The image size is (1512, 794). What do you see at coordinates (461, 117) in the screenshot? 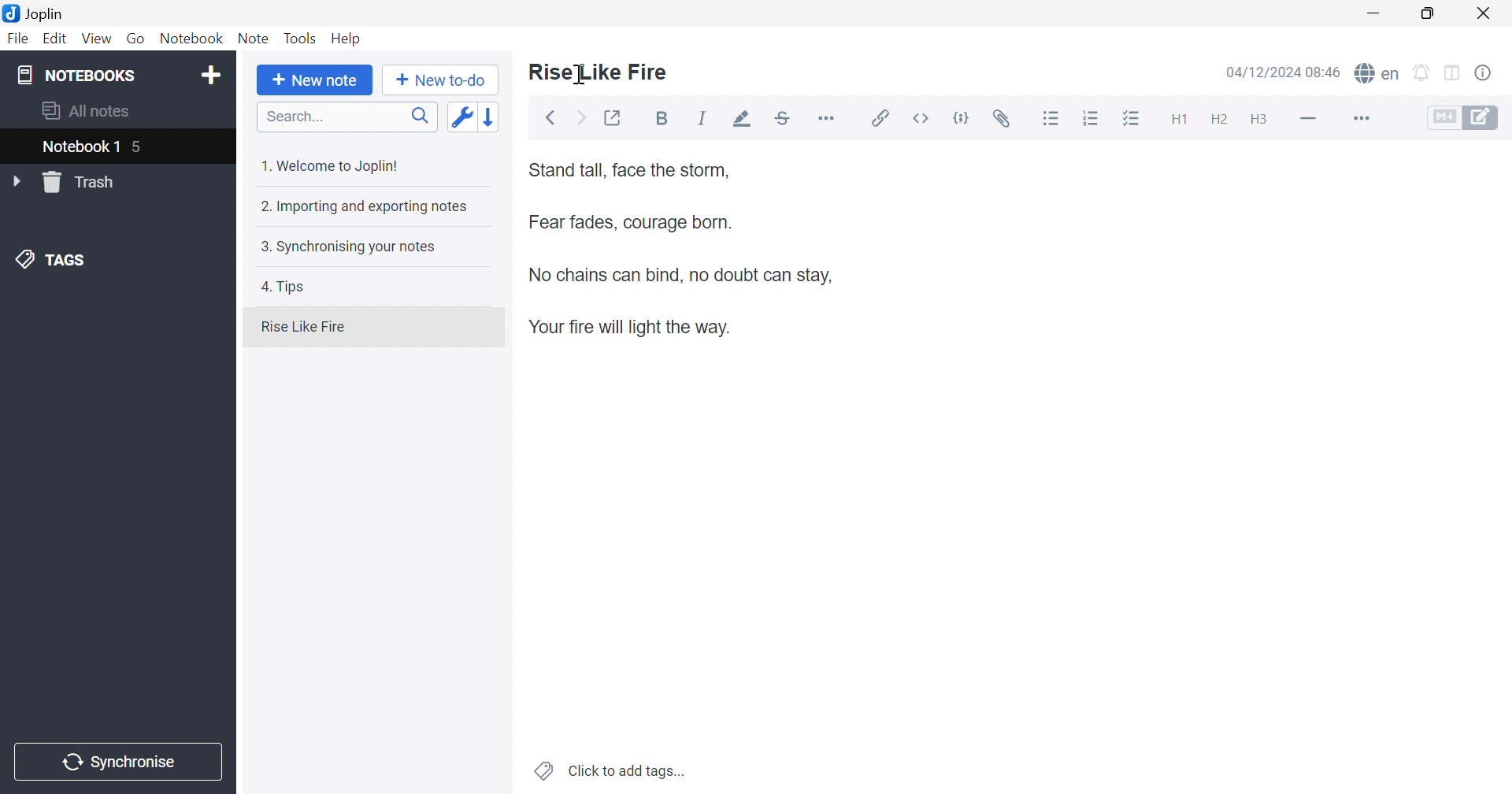
I see `Toggle sort order field` at bounding box center [461, 117].